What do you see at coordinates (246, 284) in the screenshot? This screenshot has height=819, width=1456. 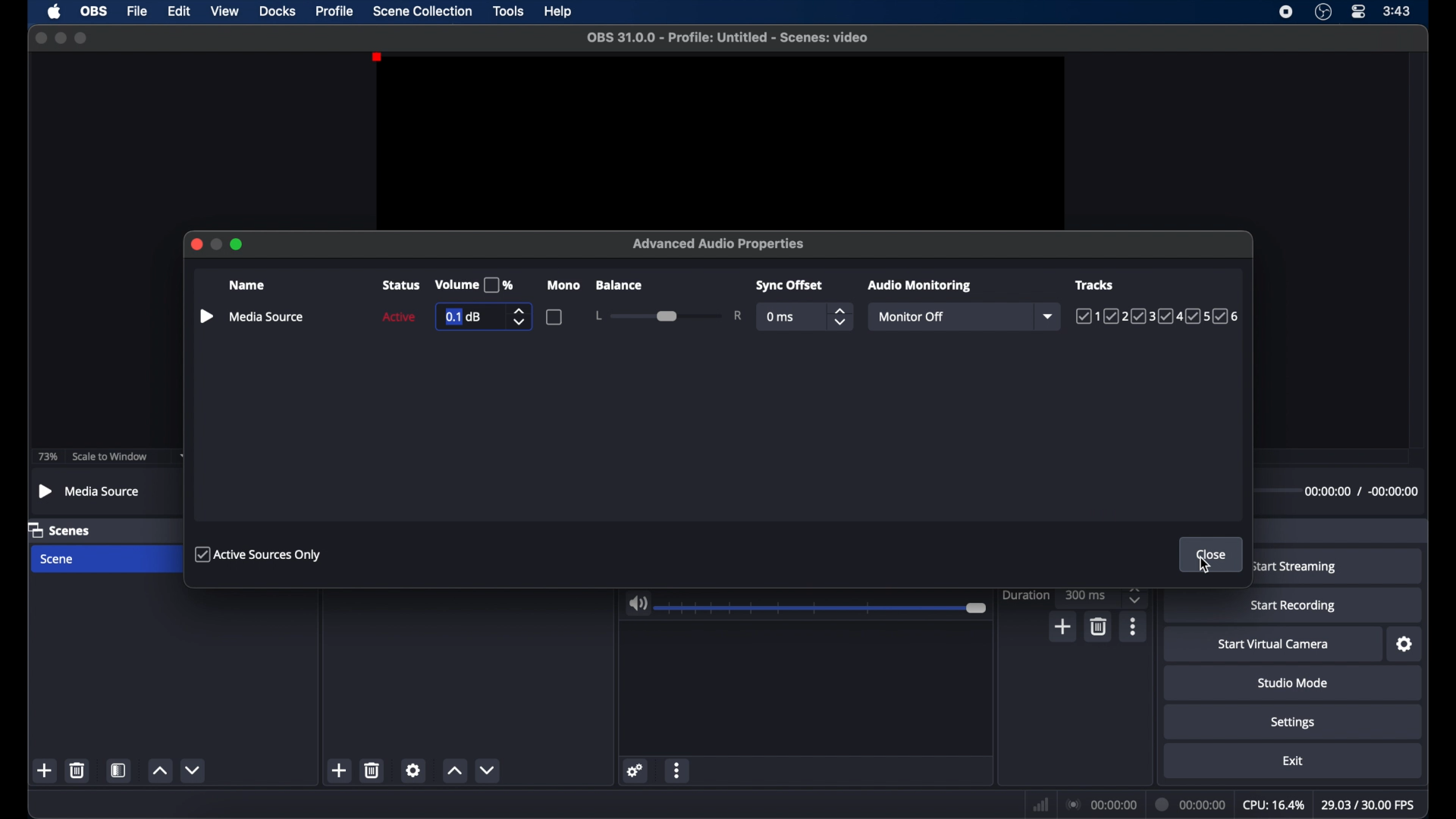 I see `name` at bounding box center [246, 284].